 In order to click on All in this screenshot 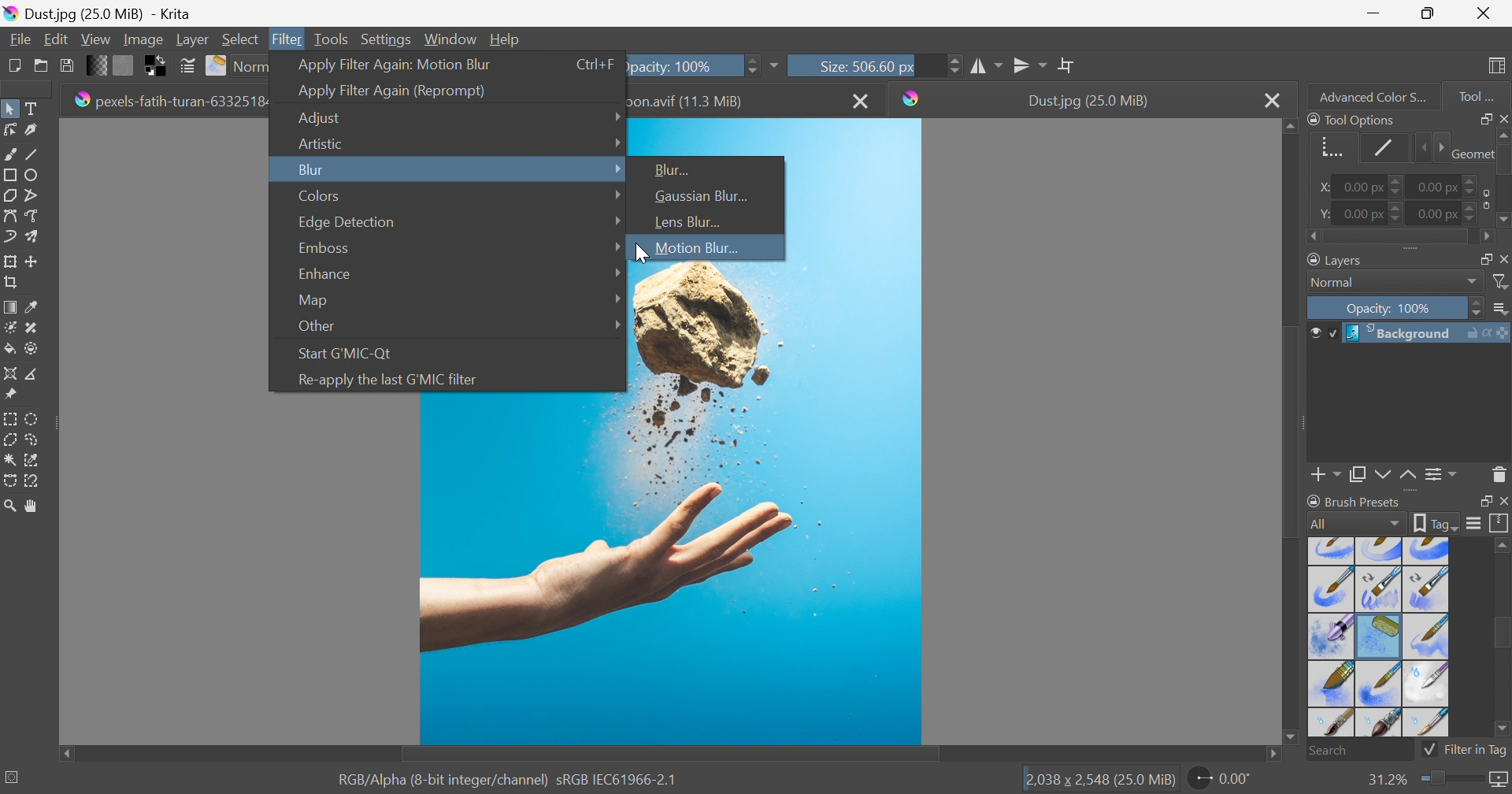, I will do `click(1355, 523)`.